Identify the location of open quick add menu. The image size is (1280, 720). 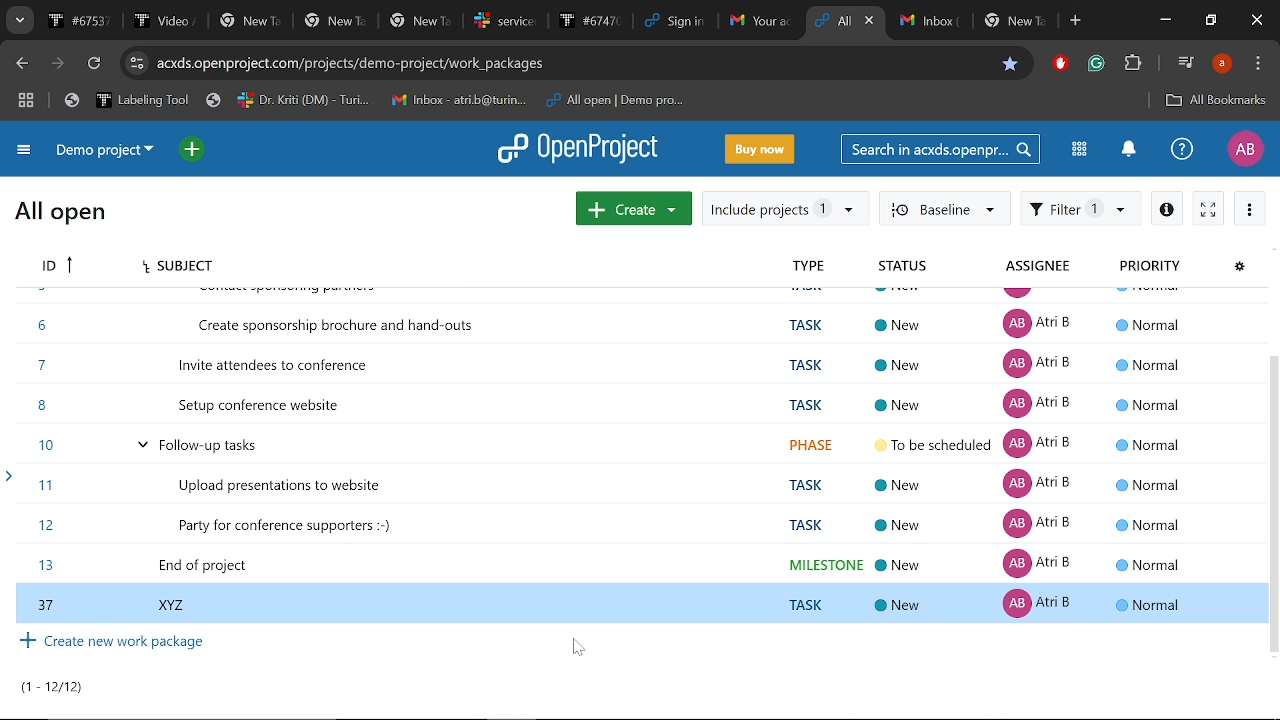
(192, 149).